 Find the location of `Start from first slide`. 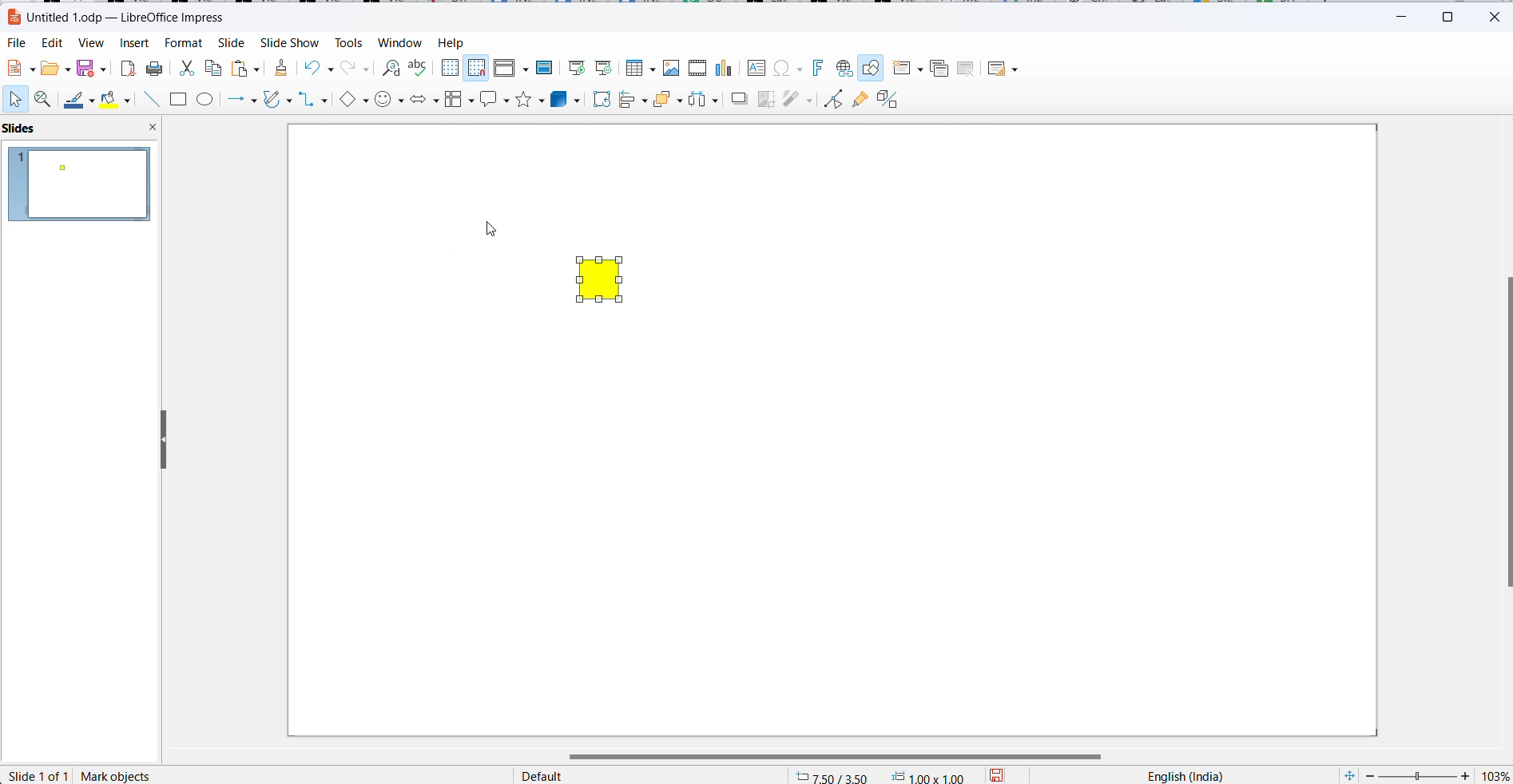

Start from first slide is located at coordinates (578, 66).